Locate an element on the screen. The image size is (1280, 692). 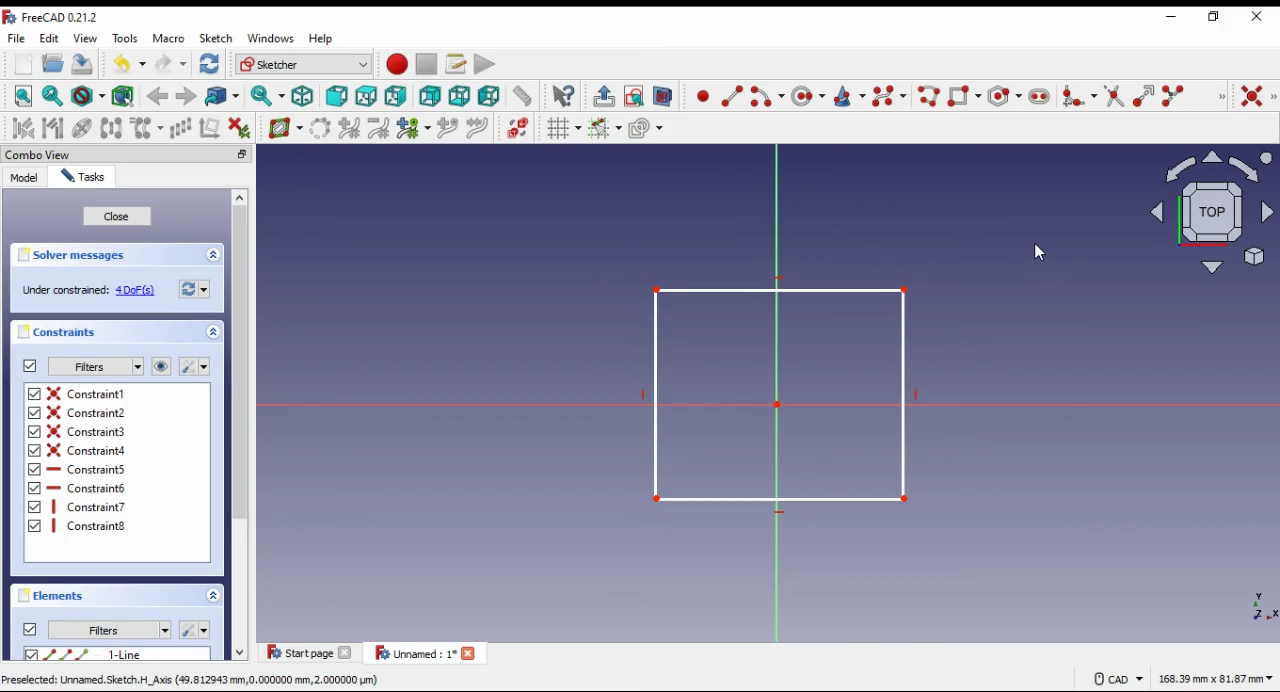
switch virtual space is located at coordinates (517, 128).